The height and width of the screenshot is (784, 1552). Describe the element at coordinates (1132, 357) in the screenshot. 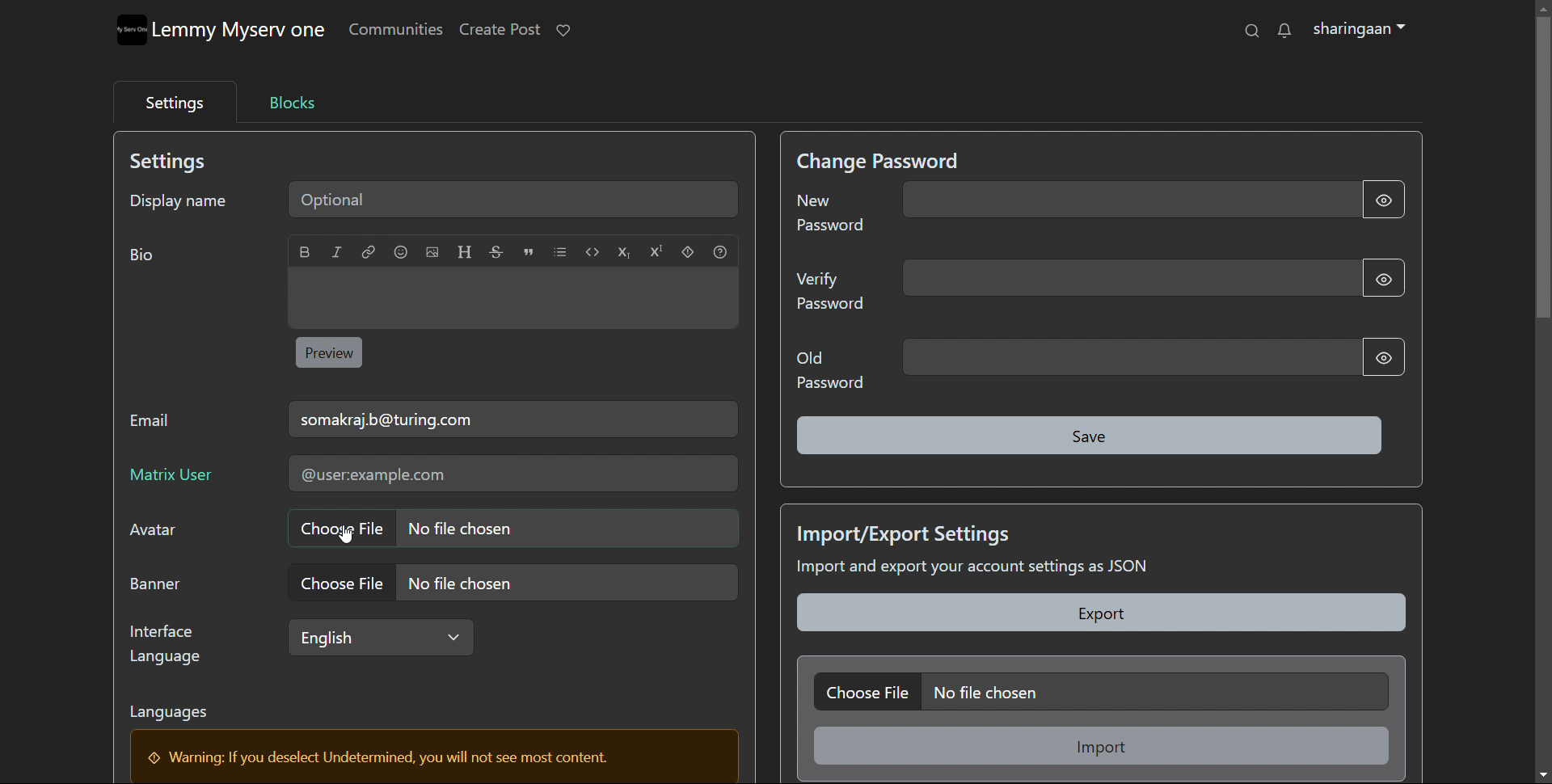

I see `old password` at that location.